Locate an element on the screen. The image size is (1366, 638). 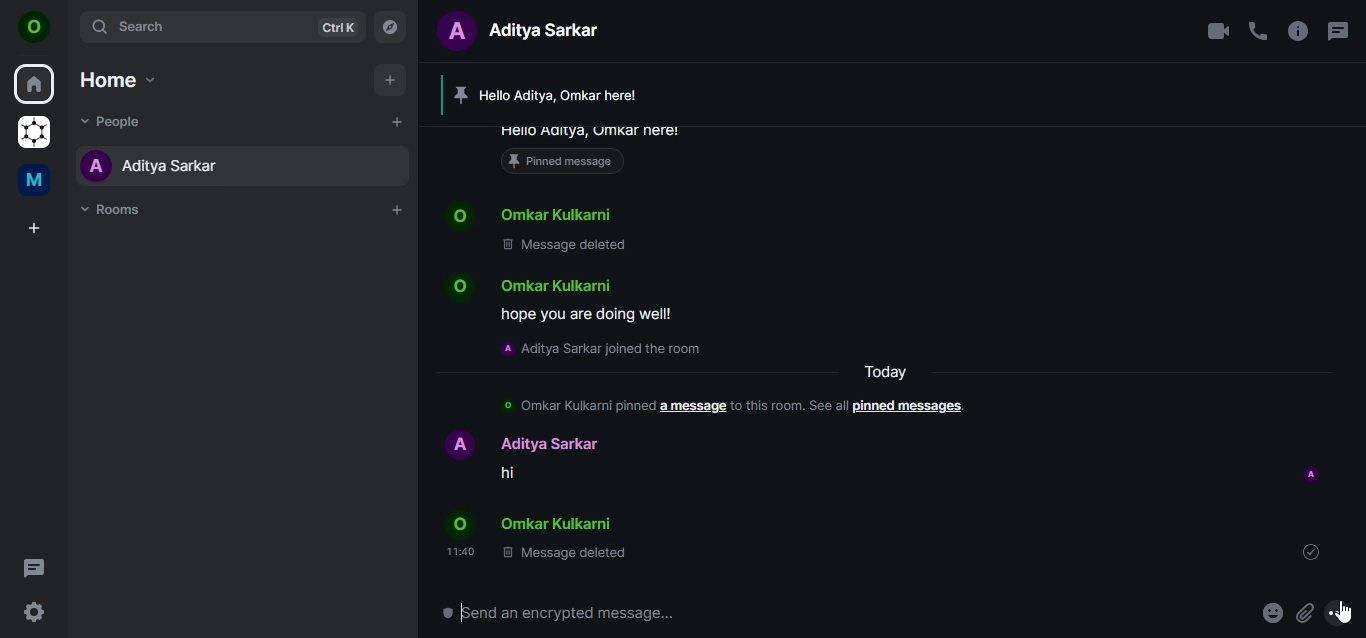
quicker settings is located at coordinates (37, 613).